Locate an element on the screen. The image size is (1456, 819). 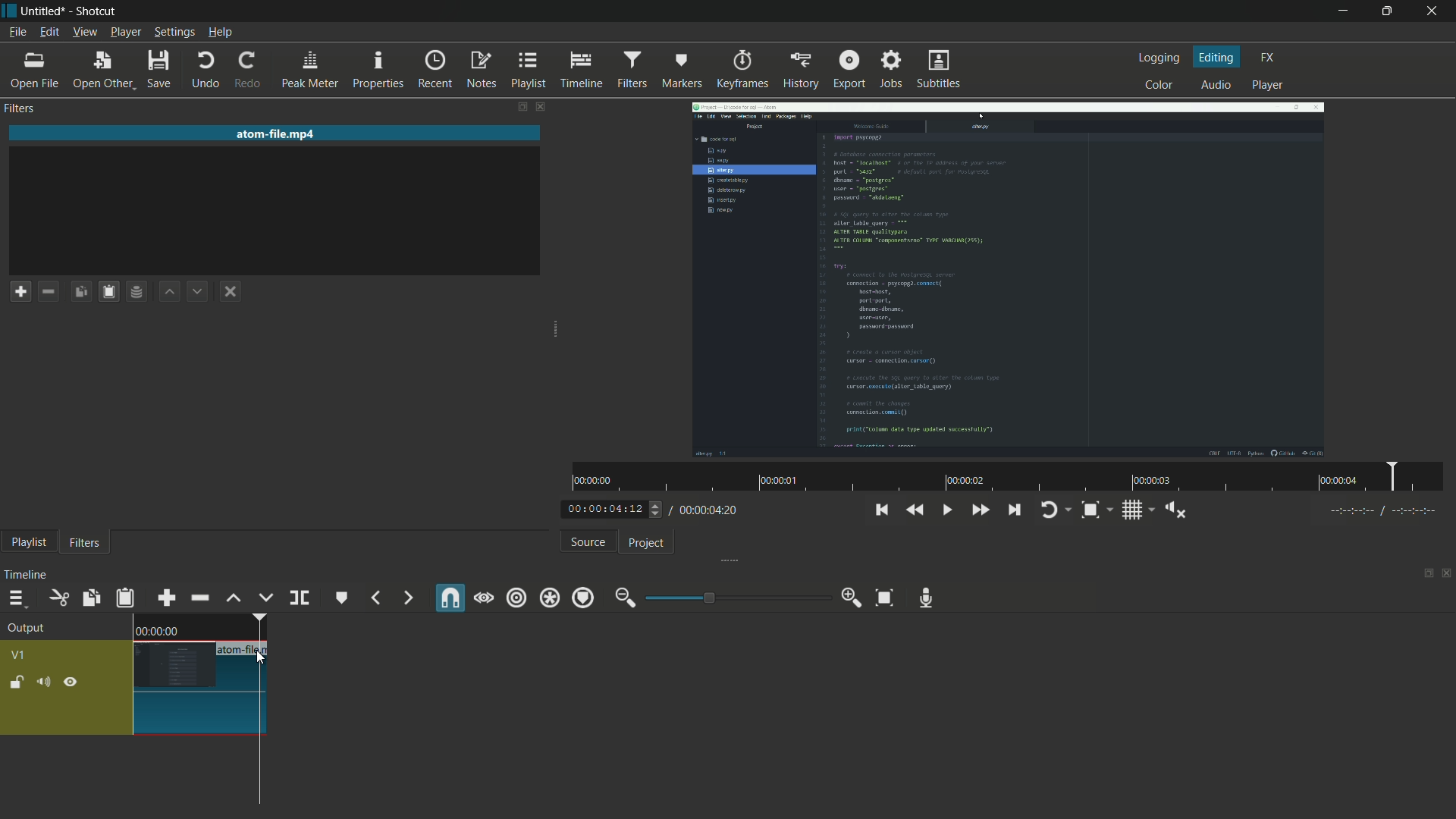
help menu is located at coordinates (220, 32).